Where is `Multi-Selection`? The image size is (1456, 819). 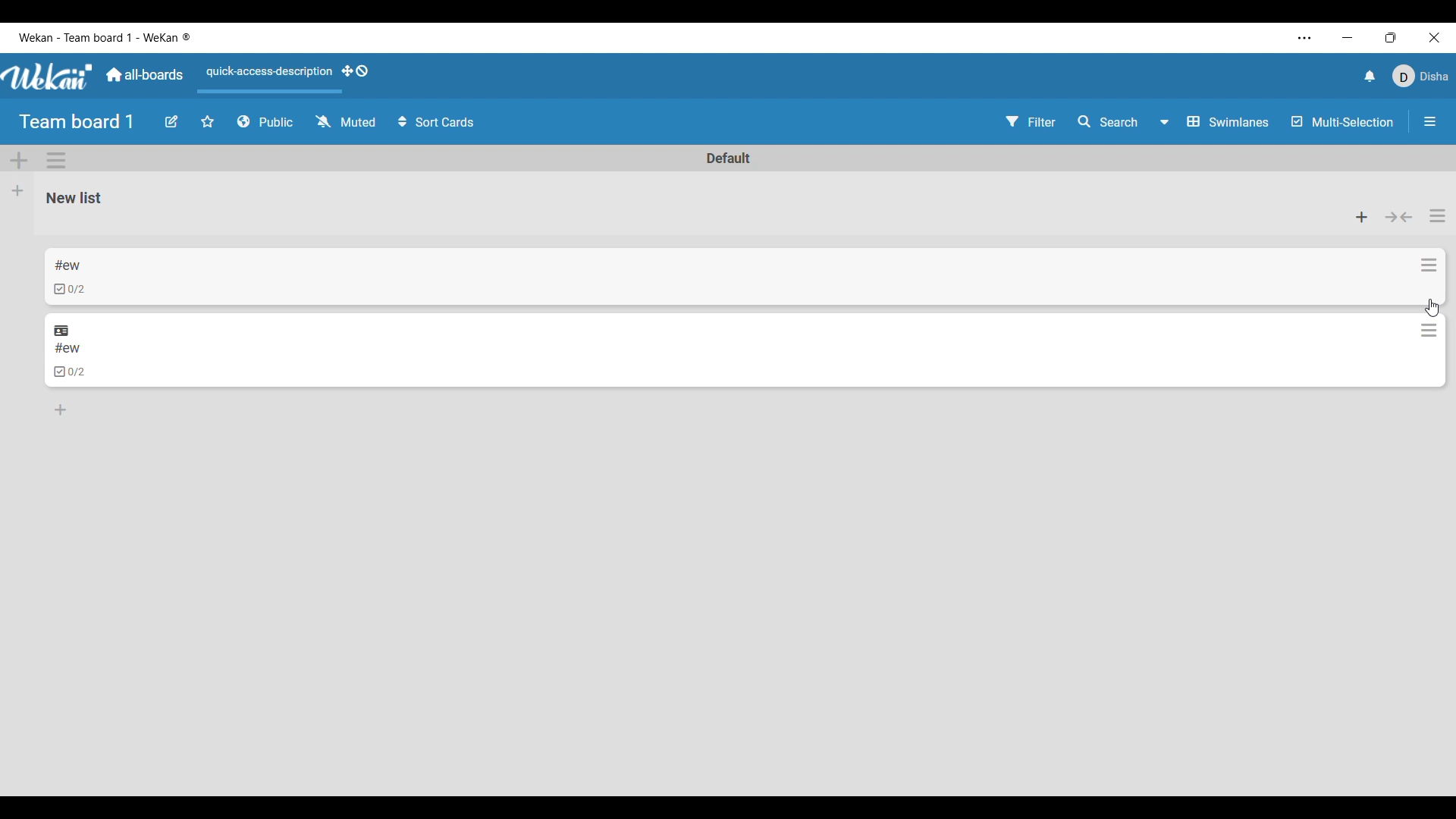
Multi-Selection is located at coordinates (1344, 122).